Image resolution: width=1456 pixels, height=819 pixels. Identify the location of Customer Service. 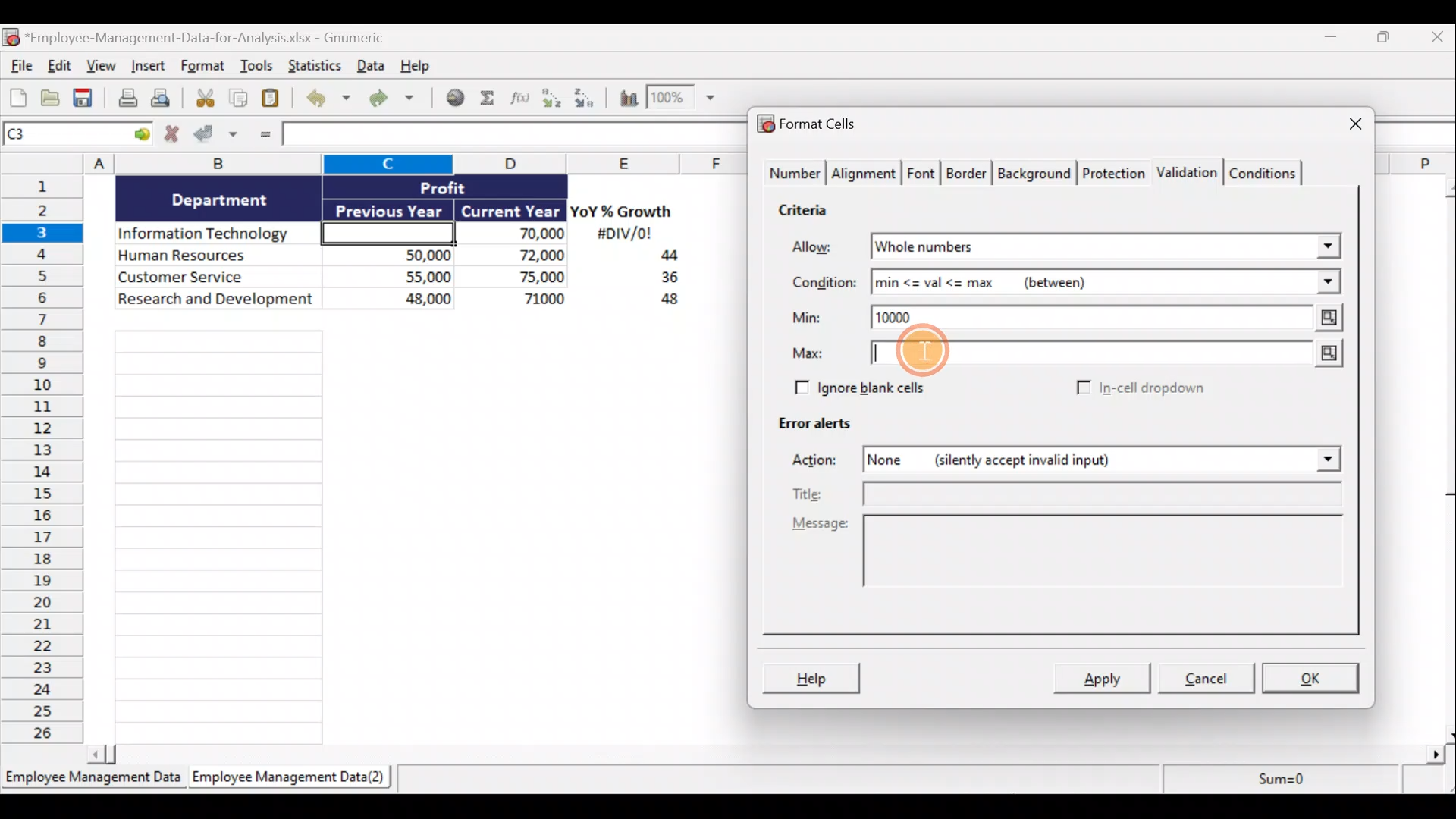
(218, 275).